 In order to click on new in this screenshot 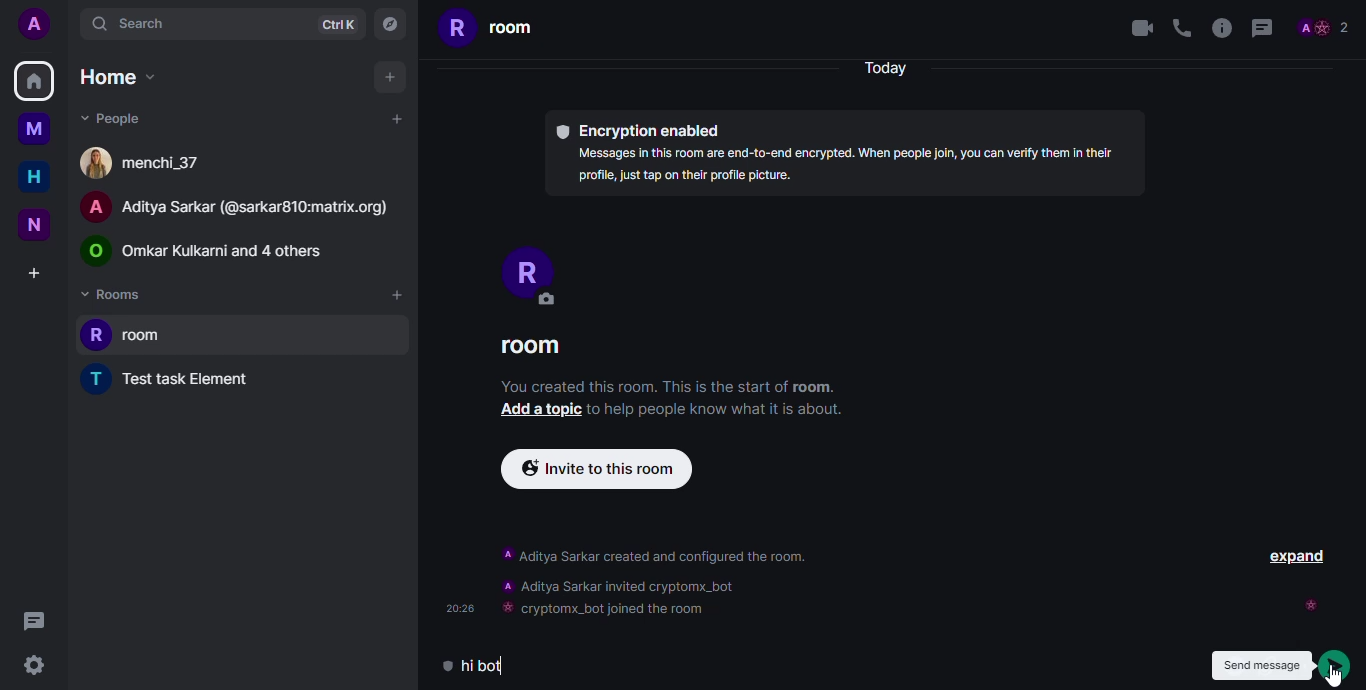, I will do `click(35, 223)`.